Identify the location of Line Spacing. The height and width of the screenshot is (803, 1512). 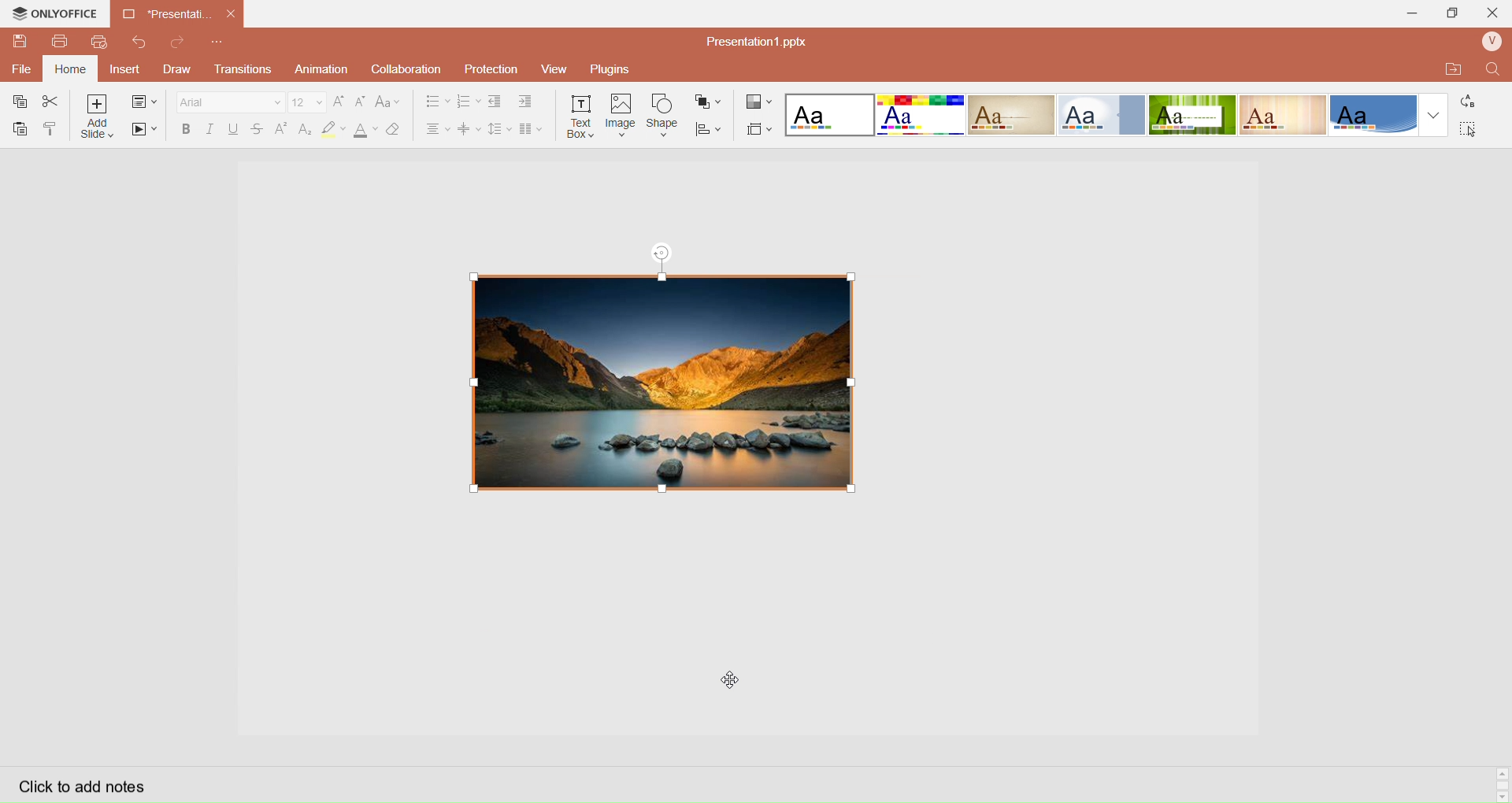
(502, 129).